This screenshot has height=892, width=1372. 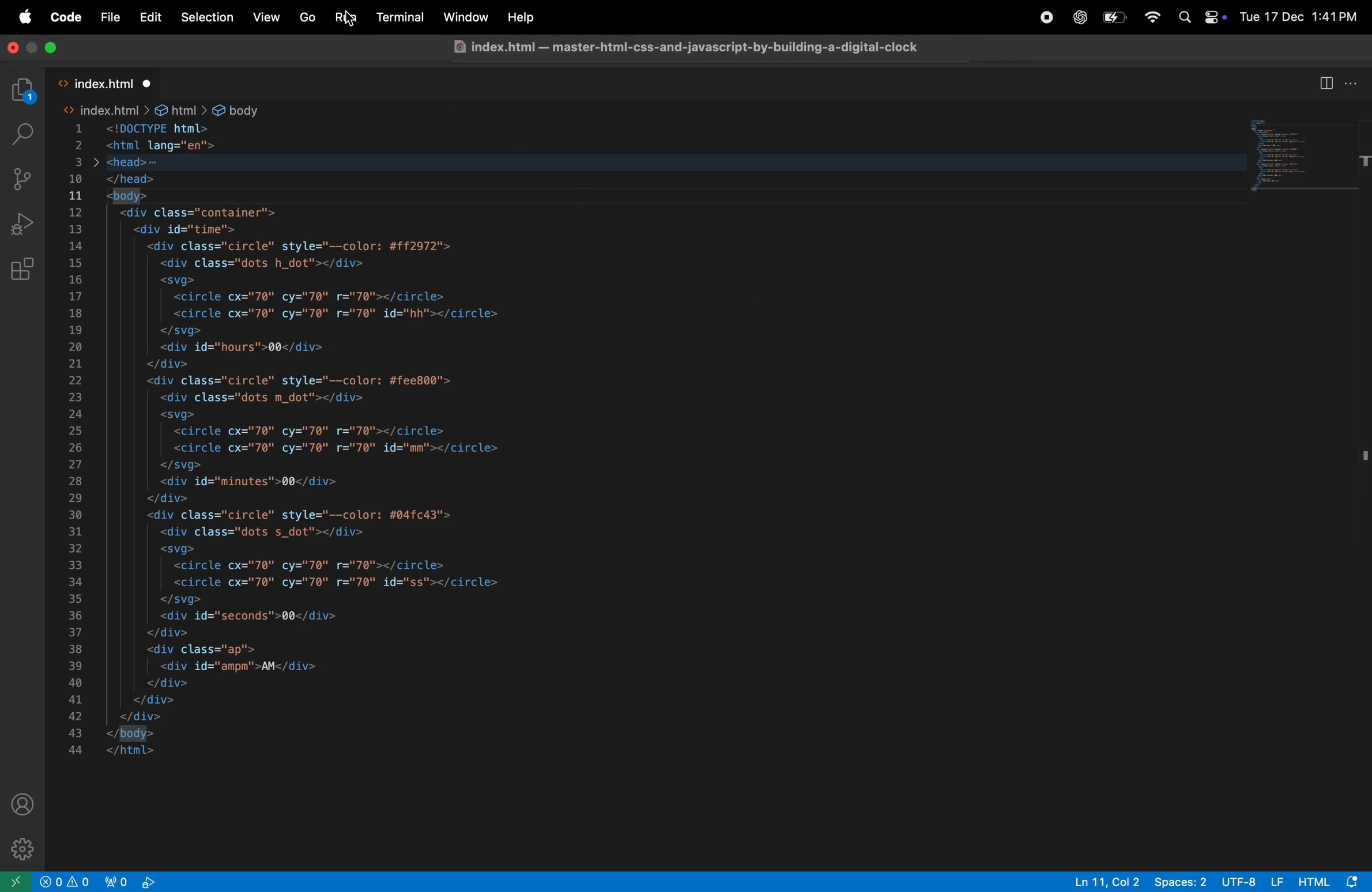 I want to click on record, so click(x=1046, y=18).